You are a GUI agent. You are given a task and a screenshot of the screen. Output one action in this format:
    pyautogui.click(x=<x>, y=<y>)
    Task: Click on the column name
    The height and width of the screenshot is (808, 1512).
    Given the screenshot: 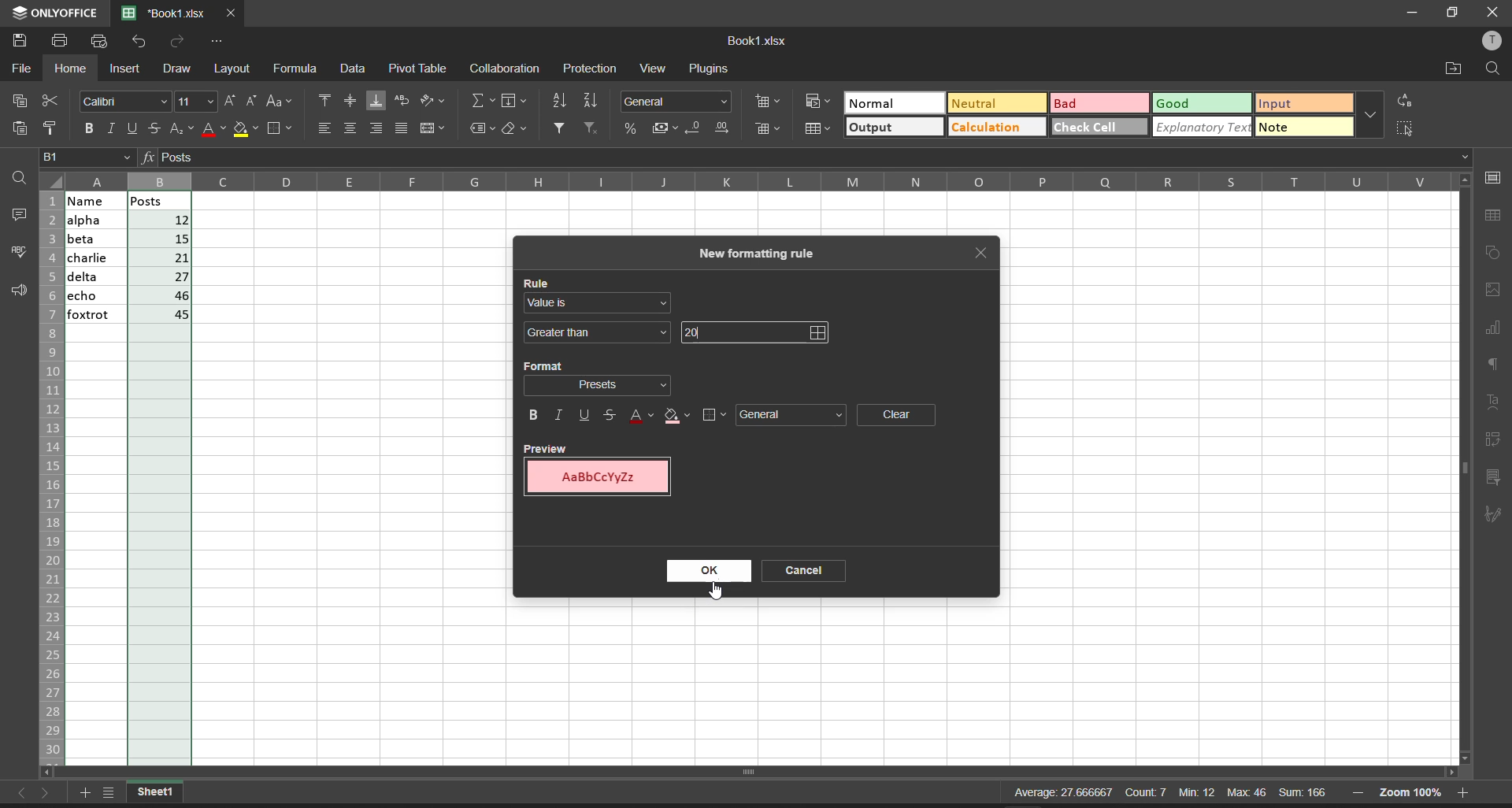 What is the action you would take?
    pyautogui.click(x=764, y=179)
    